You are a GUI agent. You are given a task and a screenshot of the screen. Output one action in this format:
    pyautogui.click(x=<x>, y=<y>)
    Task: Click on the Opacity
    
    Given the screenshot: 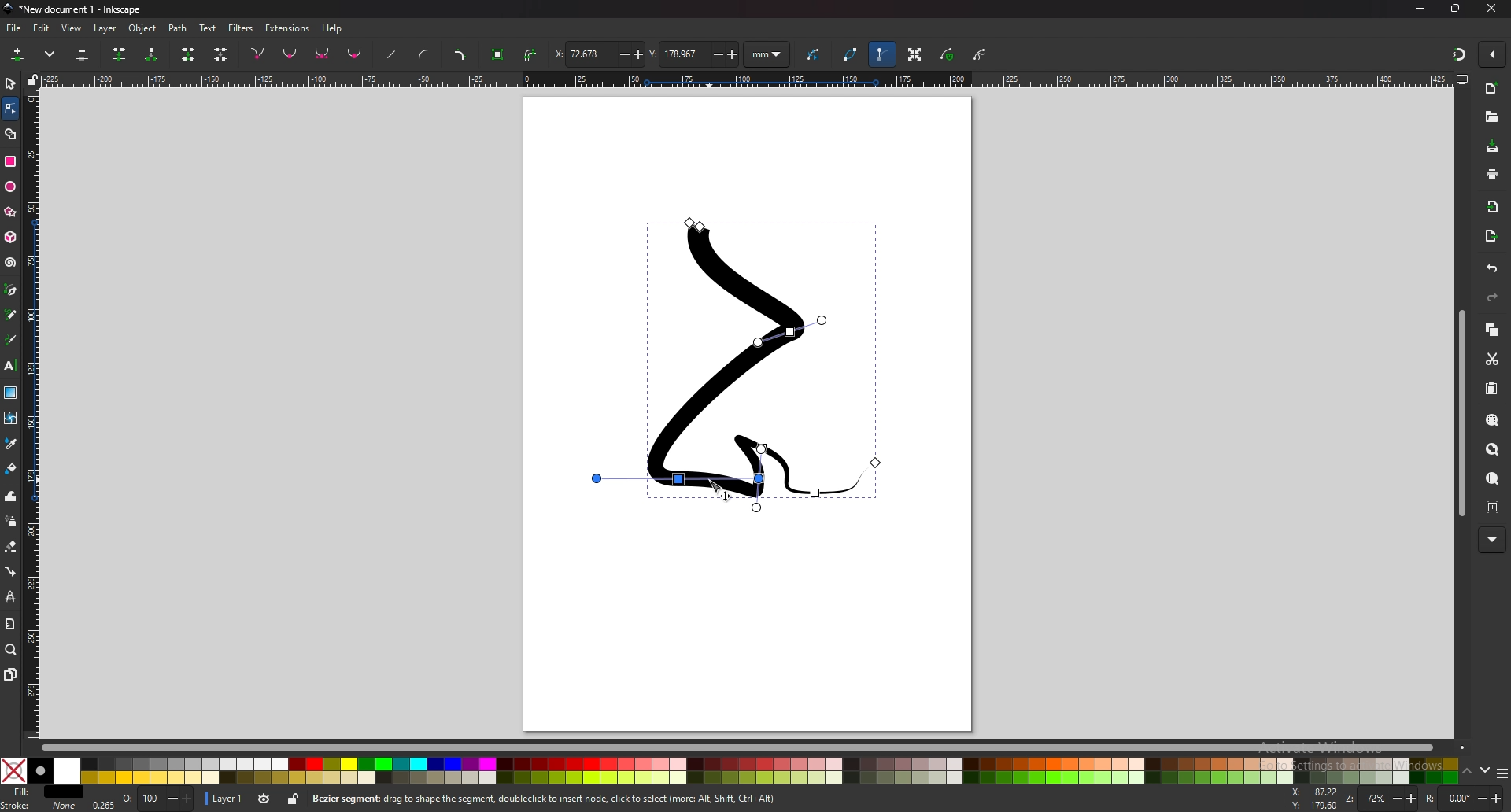 What is the action you would take?
    pyautogui.click(x=140, y=799)
    